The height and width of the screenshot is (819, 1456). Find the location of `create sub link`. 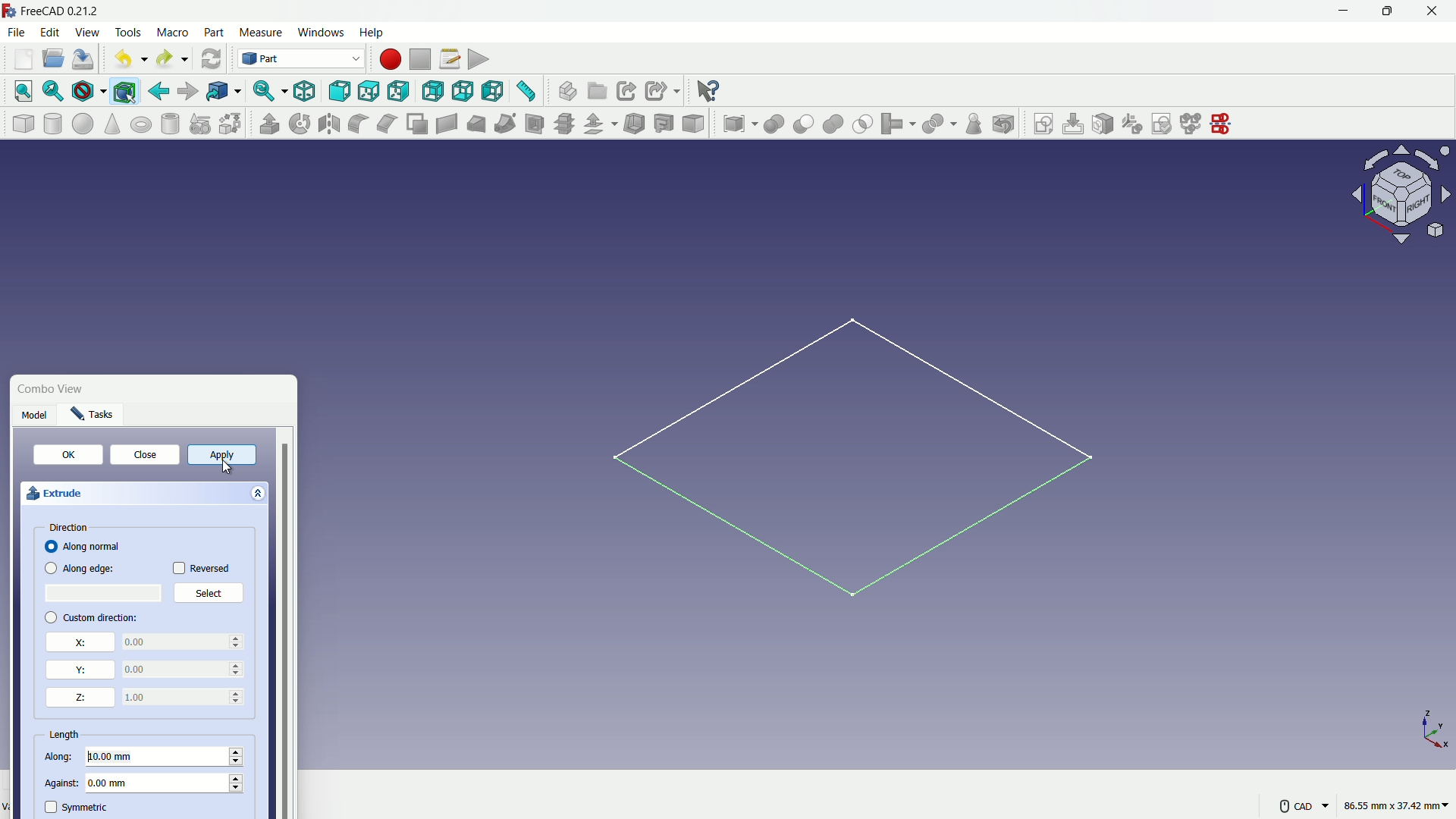

create sub link is located at coordinates (662, 90).